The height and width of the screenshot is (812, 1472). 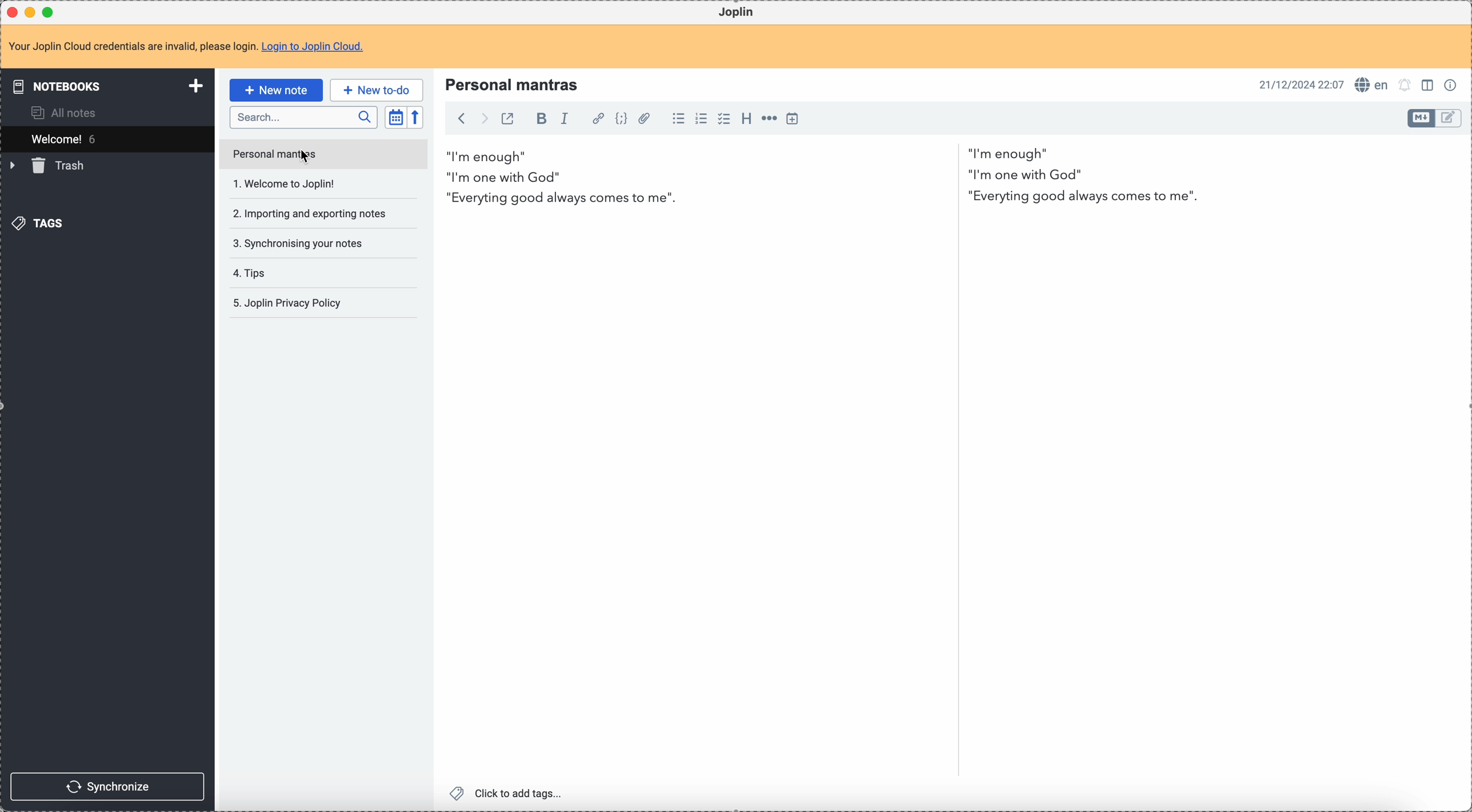 I want to click on all notes, so click(x=62, y=112).